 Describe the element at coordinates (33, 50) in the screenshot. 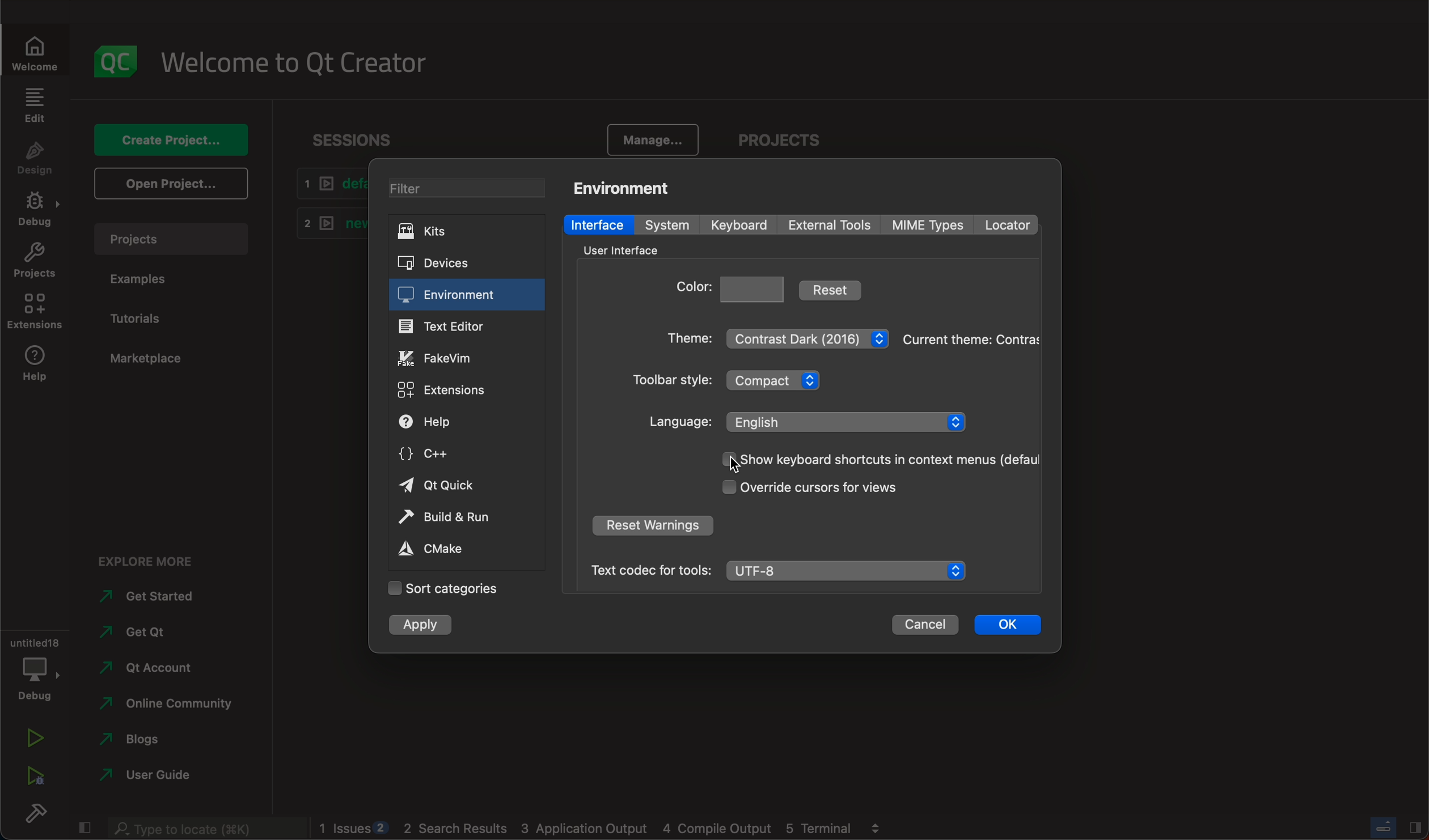

I see `welcome` at that location.